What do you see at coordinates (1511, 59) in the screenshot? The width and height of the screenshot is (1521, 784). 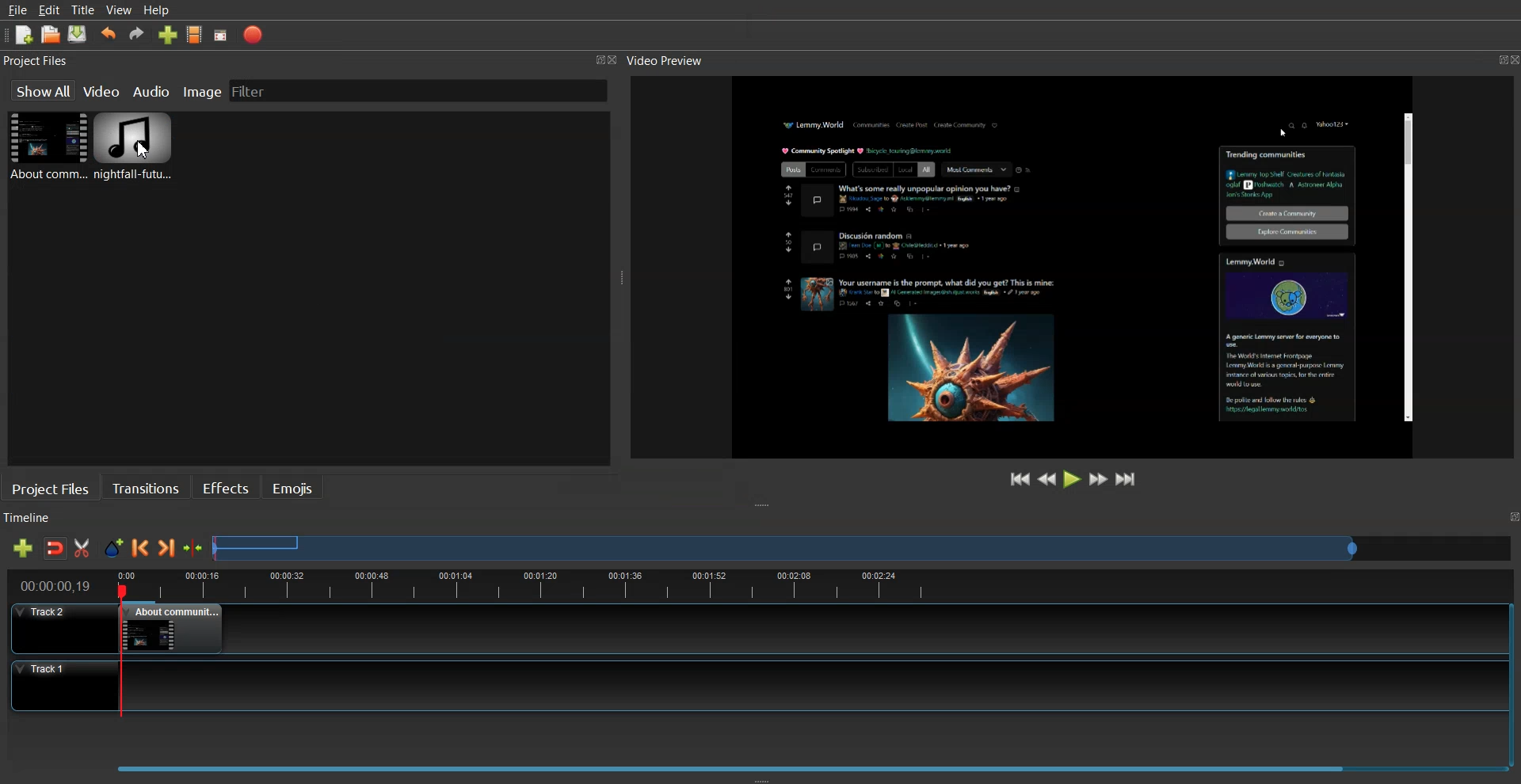 I see `Close` at bounding box center [1511, 59].